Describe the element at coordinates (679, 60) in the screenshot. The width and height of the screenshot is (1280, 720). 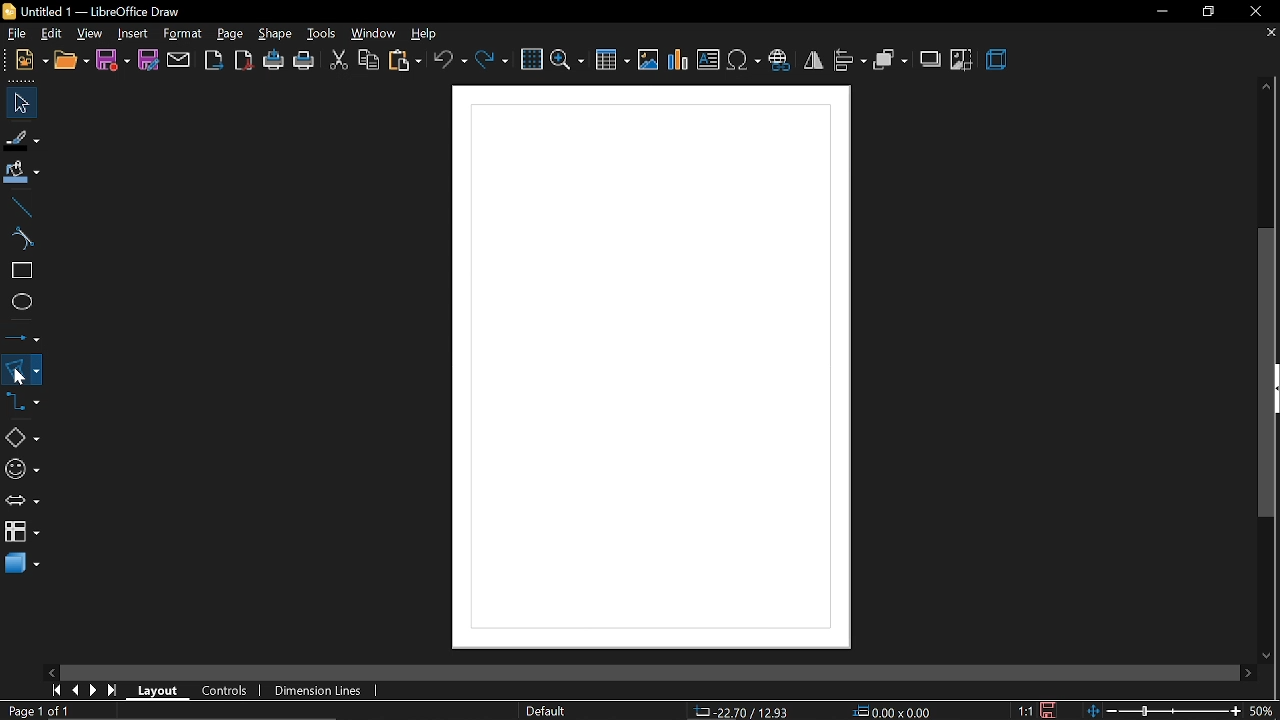
I see `insert chart` at that location.